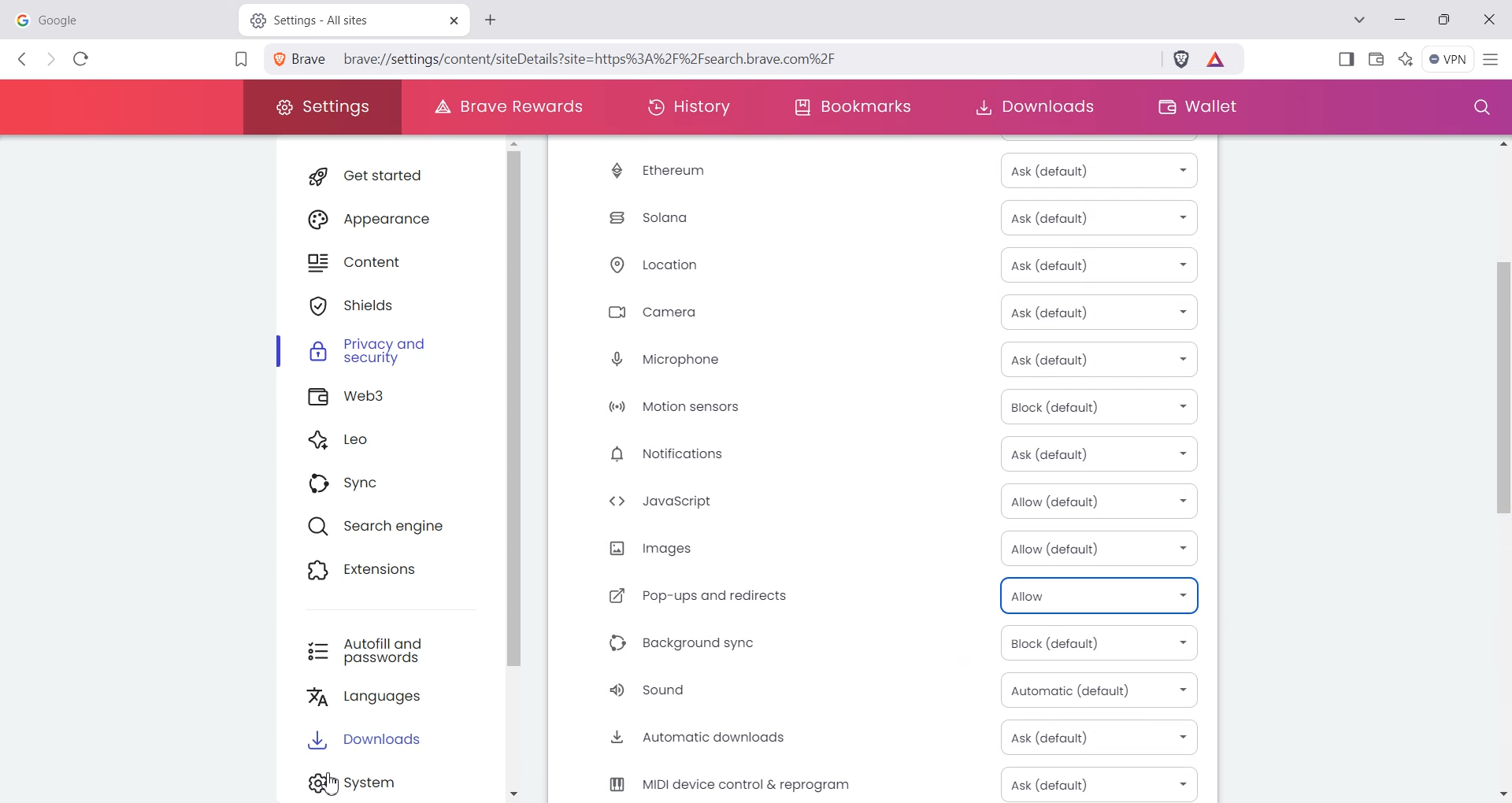 The image size is (1512, 803). Describe the element at coordinates (388, 263) in the screenshot. I see `Content` at that location.